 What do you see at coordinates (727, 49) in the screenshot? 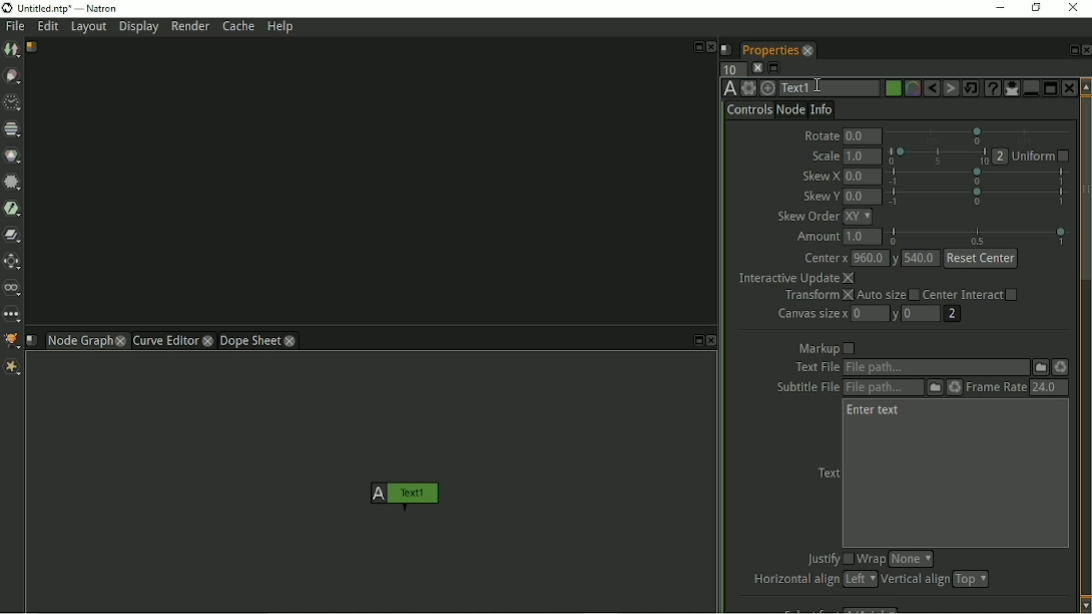
I see `Script` at bounding box center [727, 49].